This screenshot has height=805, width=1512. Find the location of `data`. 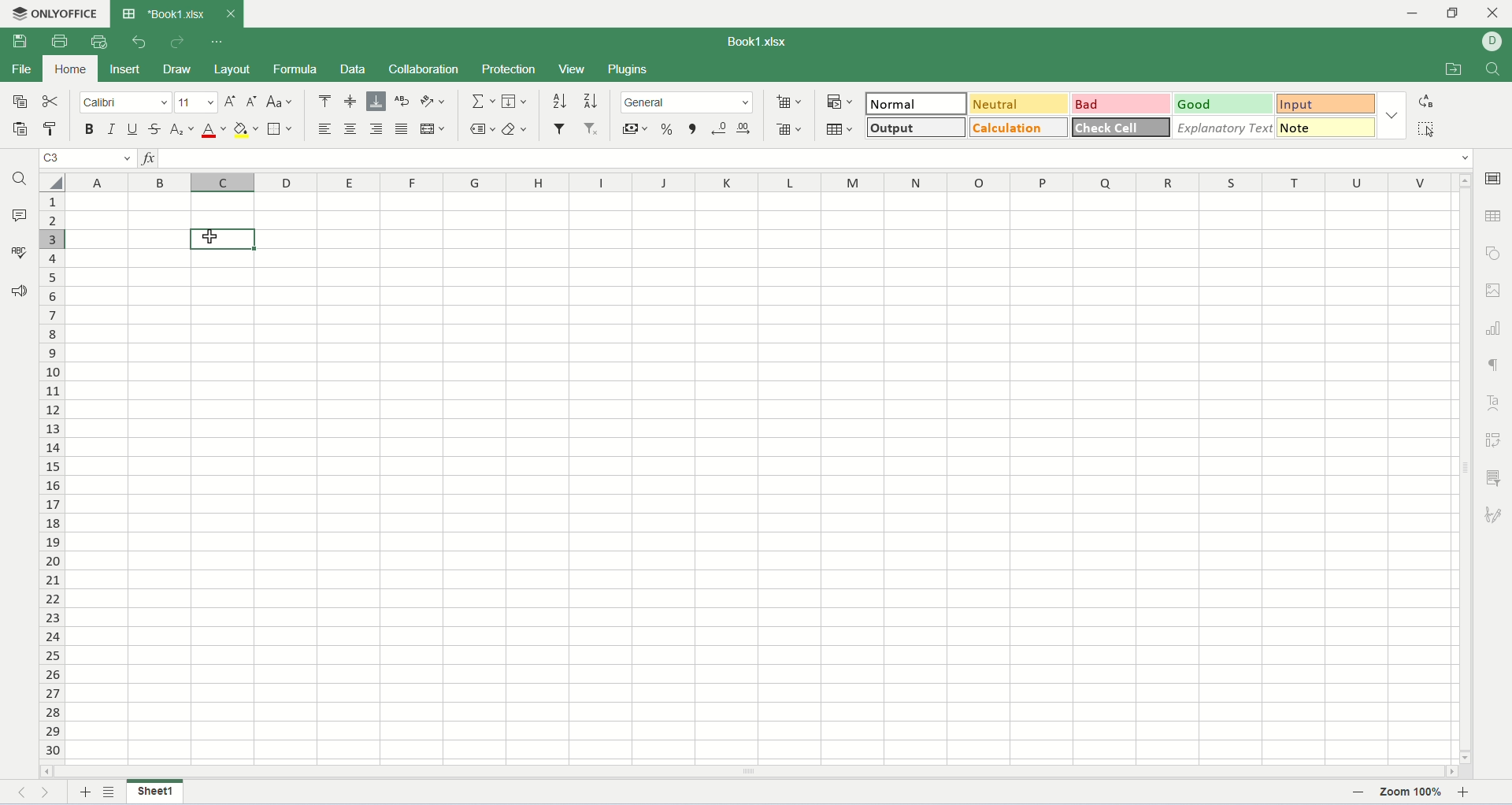

data is located at coordinates (353, 71).